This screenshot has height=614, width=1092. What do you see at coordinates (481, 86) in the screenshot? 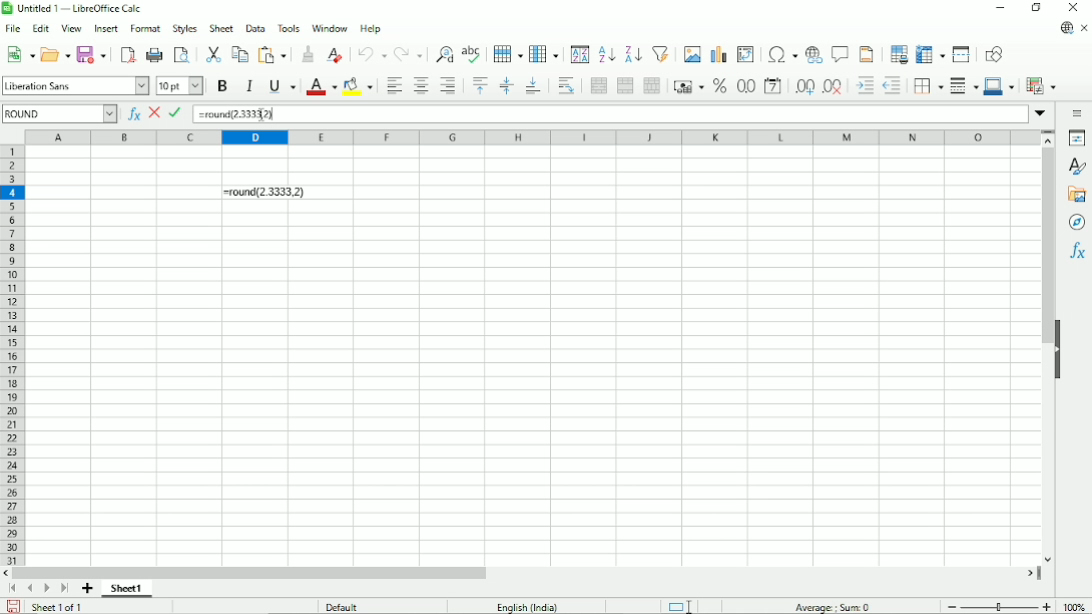
I see `Align top` at bounding box center [481, 86].